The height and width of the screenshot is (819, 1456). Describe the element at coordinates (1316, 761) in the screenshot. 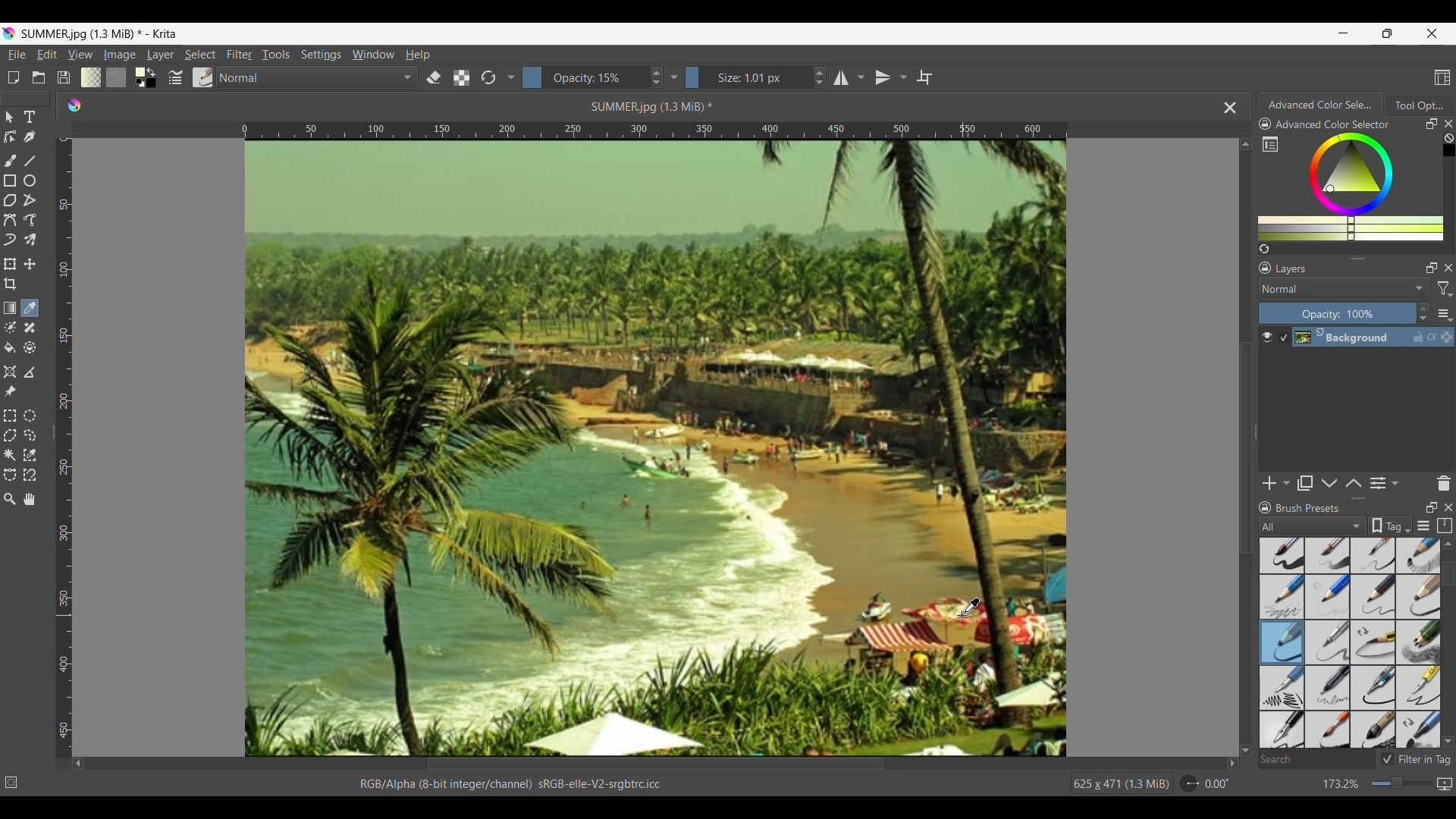

I see `Search` at that location.